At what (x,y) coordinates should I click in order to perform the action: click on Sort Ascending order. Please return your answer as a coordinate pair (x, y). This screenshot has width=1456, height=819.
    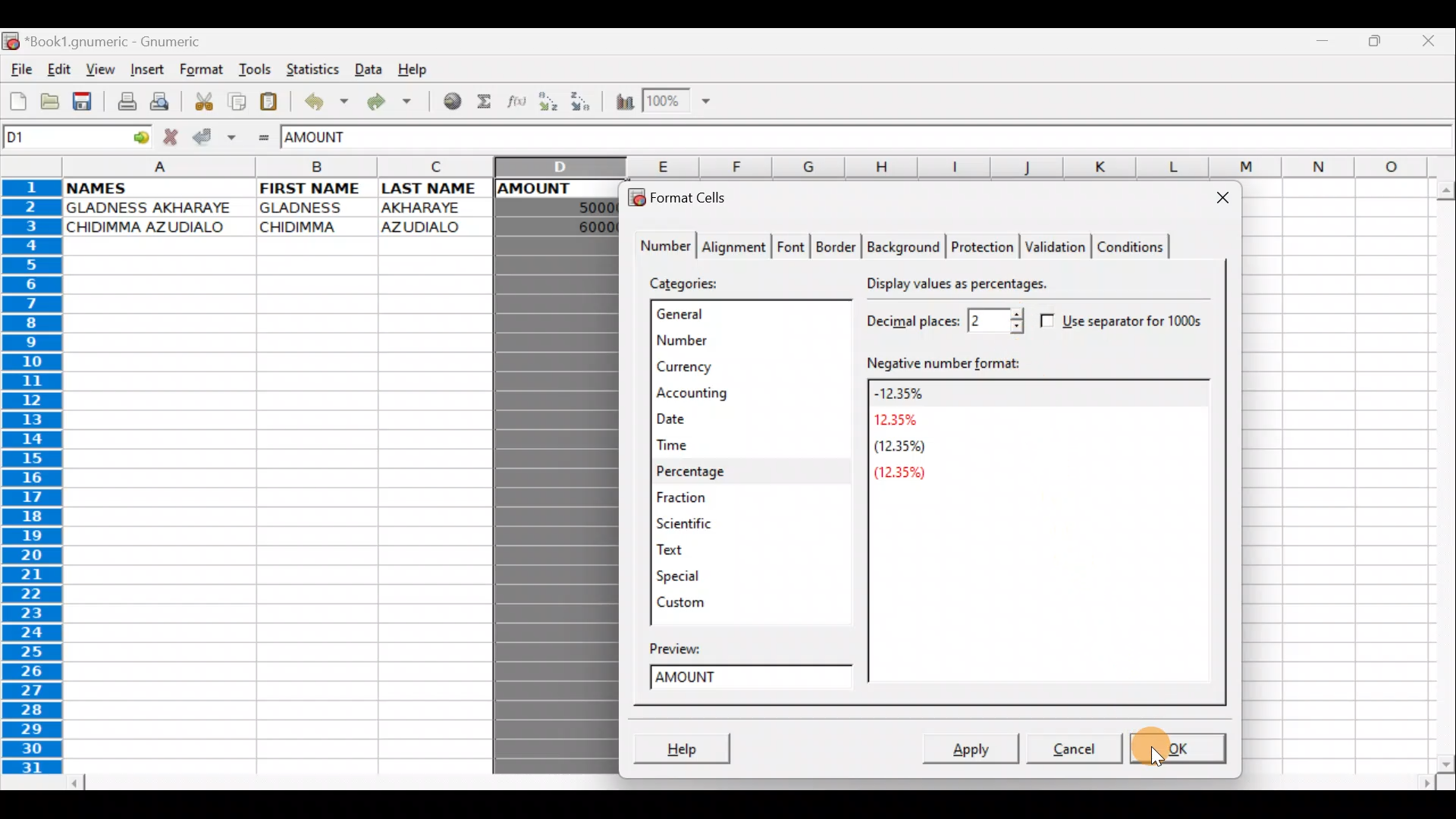
    Looking at the image, I should click on (550, 102).